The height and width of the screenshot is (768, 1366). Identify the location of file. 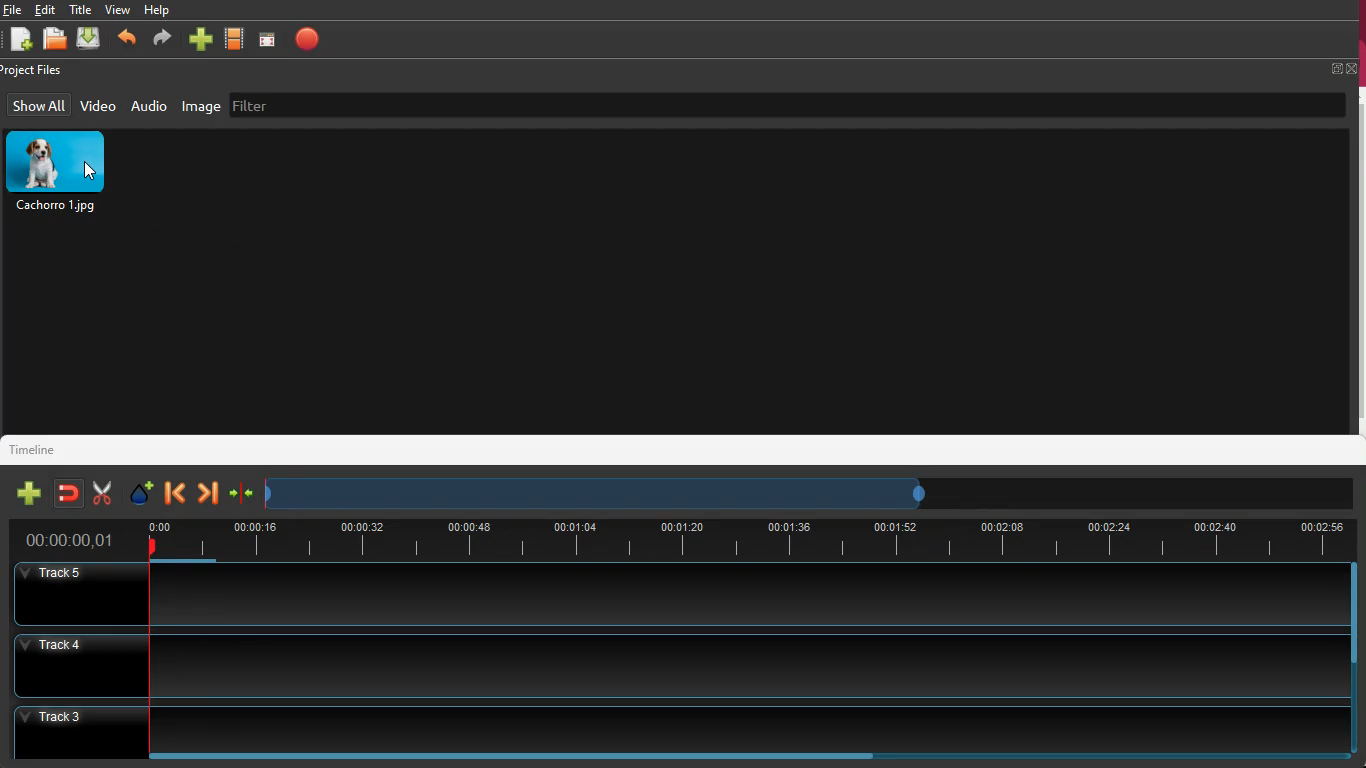
(13, 10).